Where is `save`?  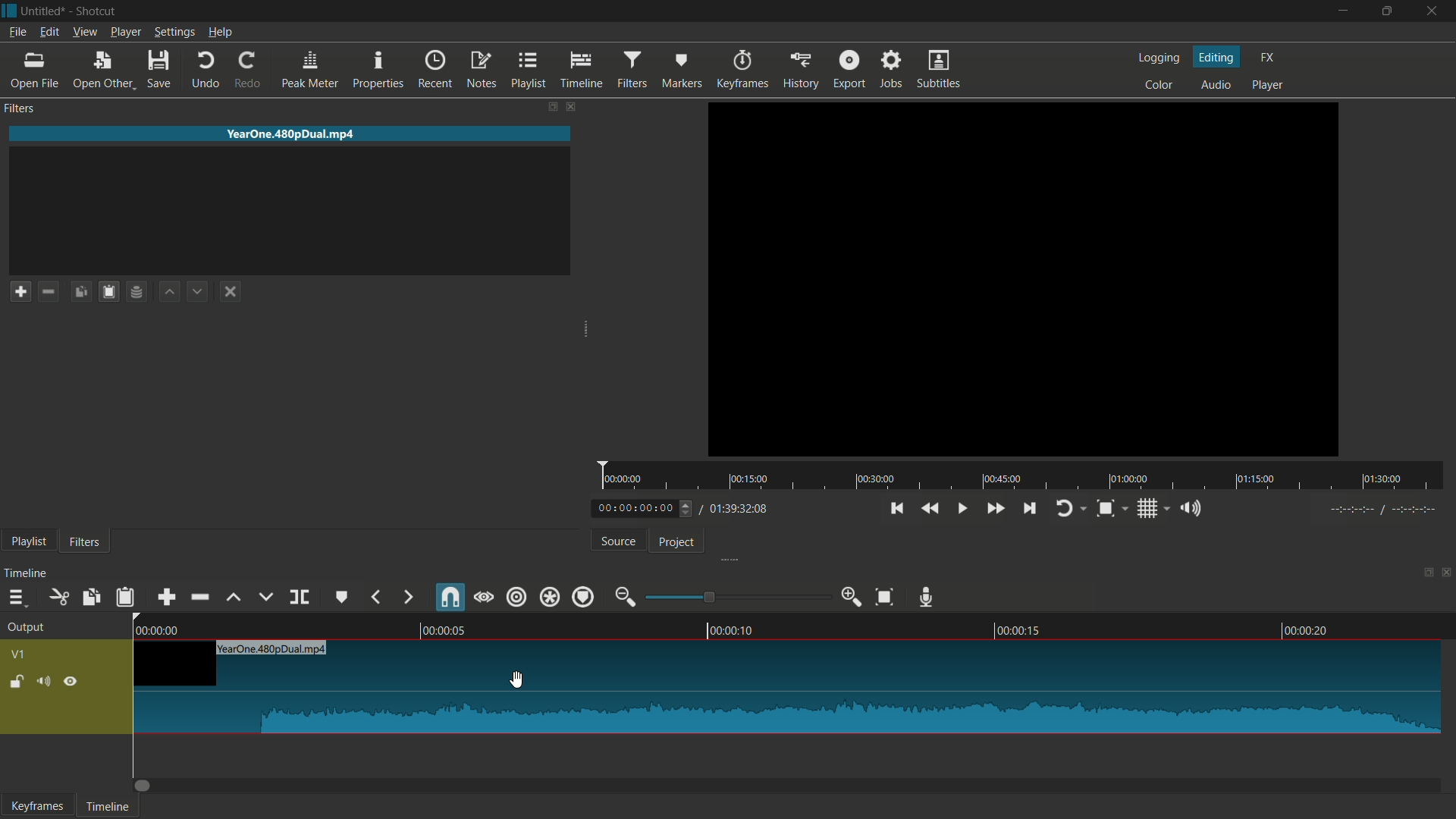 save is located at coordinates (160, 71).